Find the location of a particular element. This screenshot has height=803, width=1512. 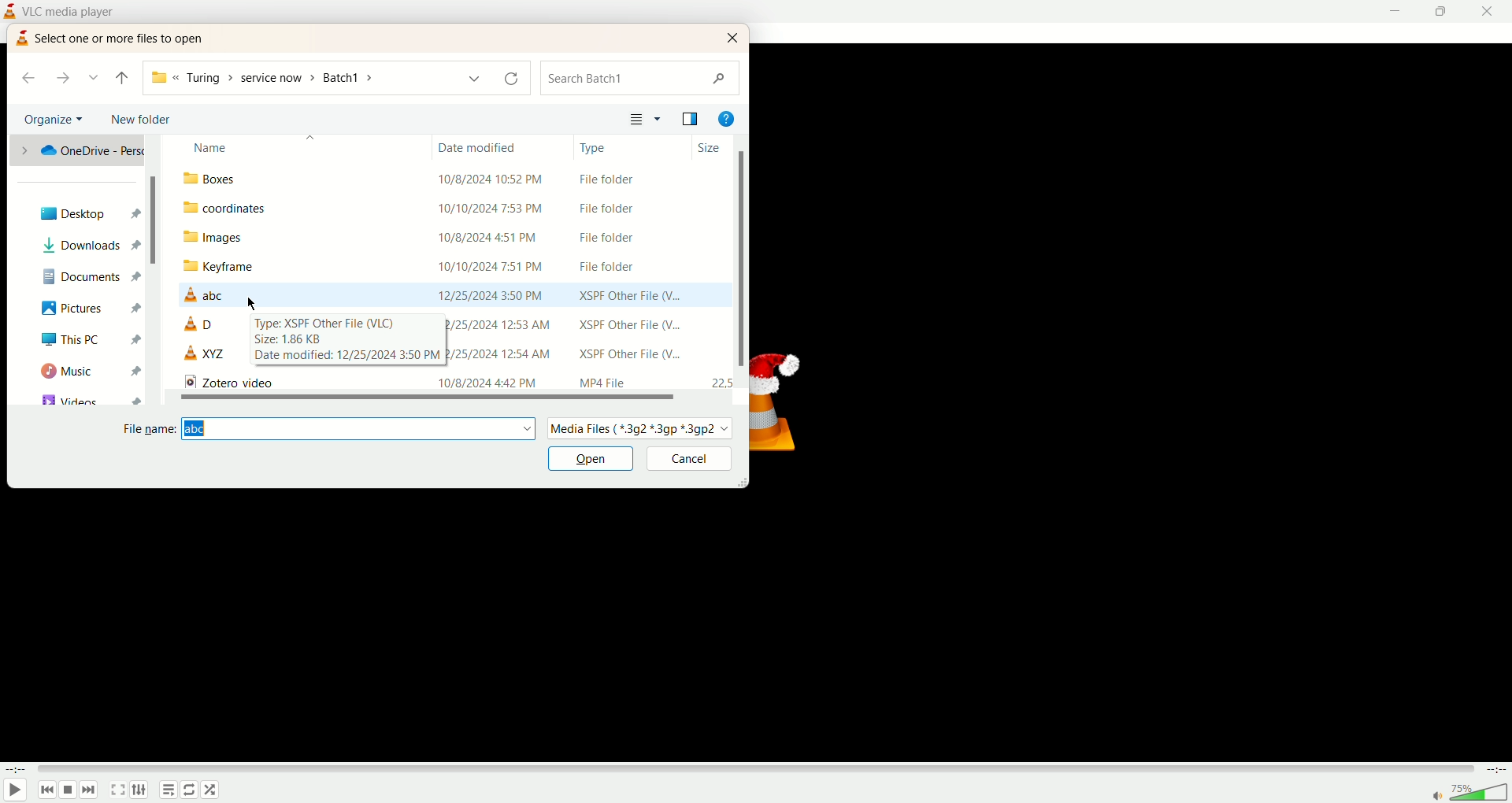

shuffle is located at coordinates (190, 790).